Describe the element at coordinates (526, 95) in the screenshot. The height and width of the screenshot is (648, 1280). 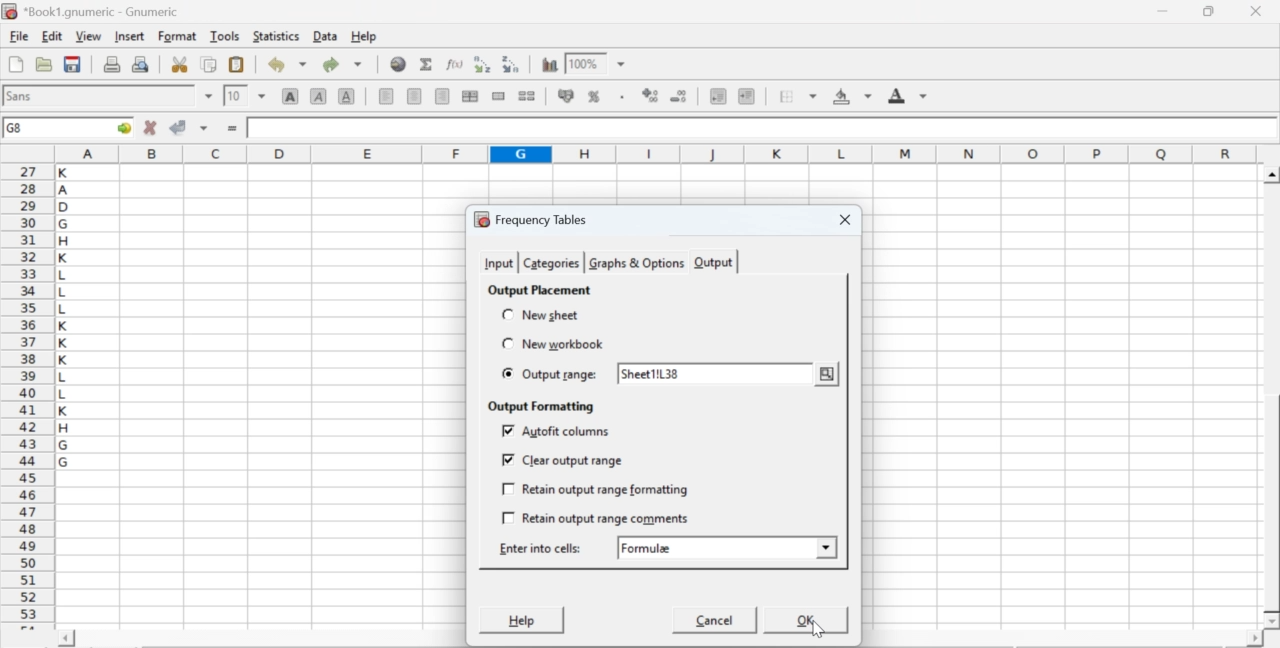
I see `split merged ranges of cells` at that location.